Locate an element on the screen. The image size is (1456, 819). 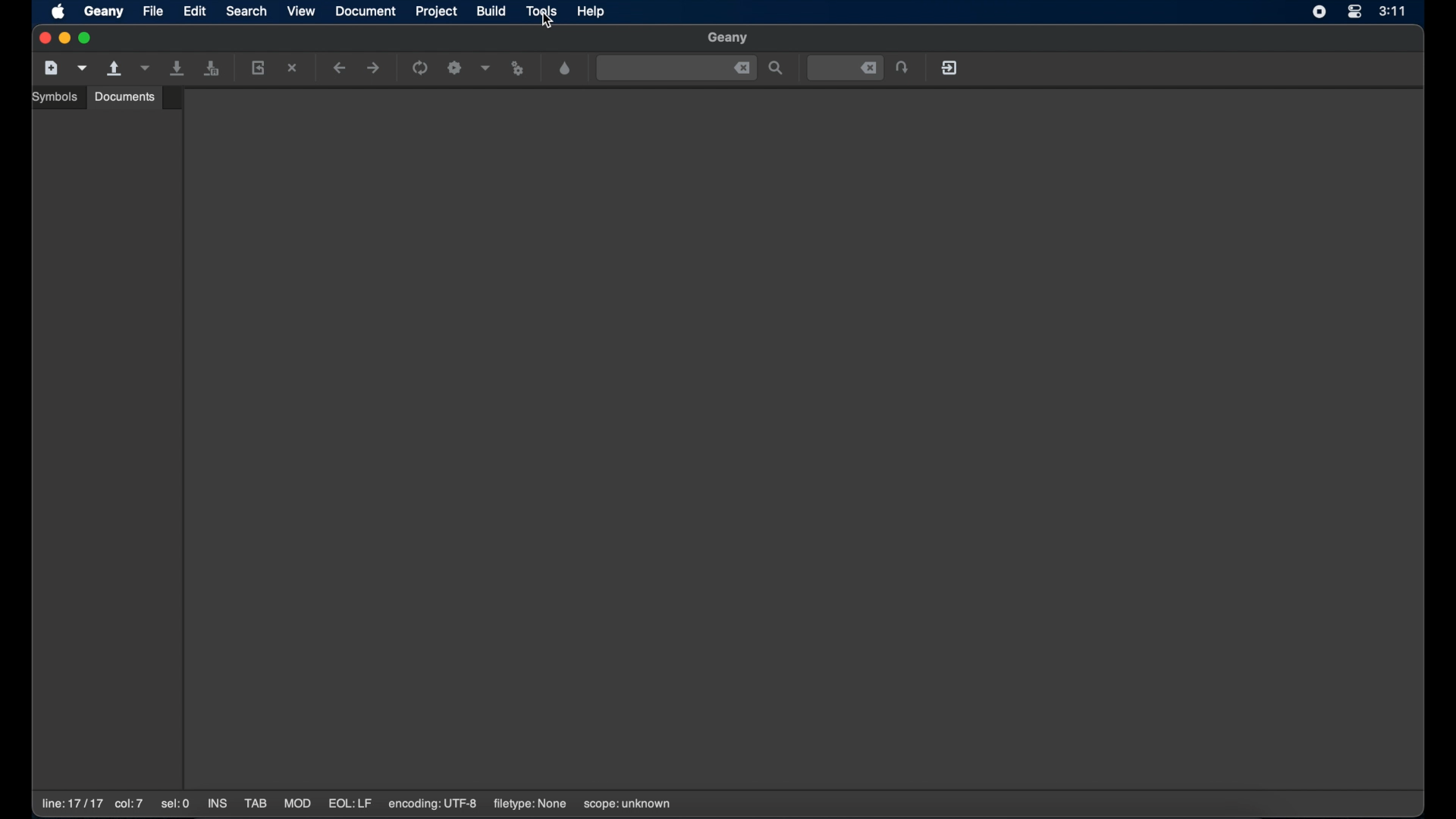
build the current file is located at coordinates (457, 69).